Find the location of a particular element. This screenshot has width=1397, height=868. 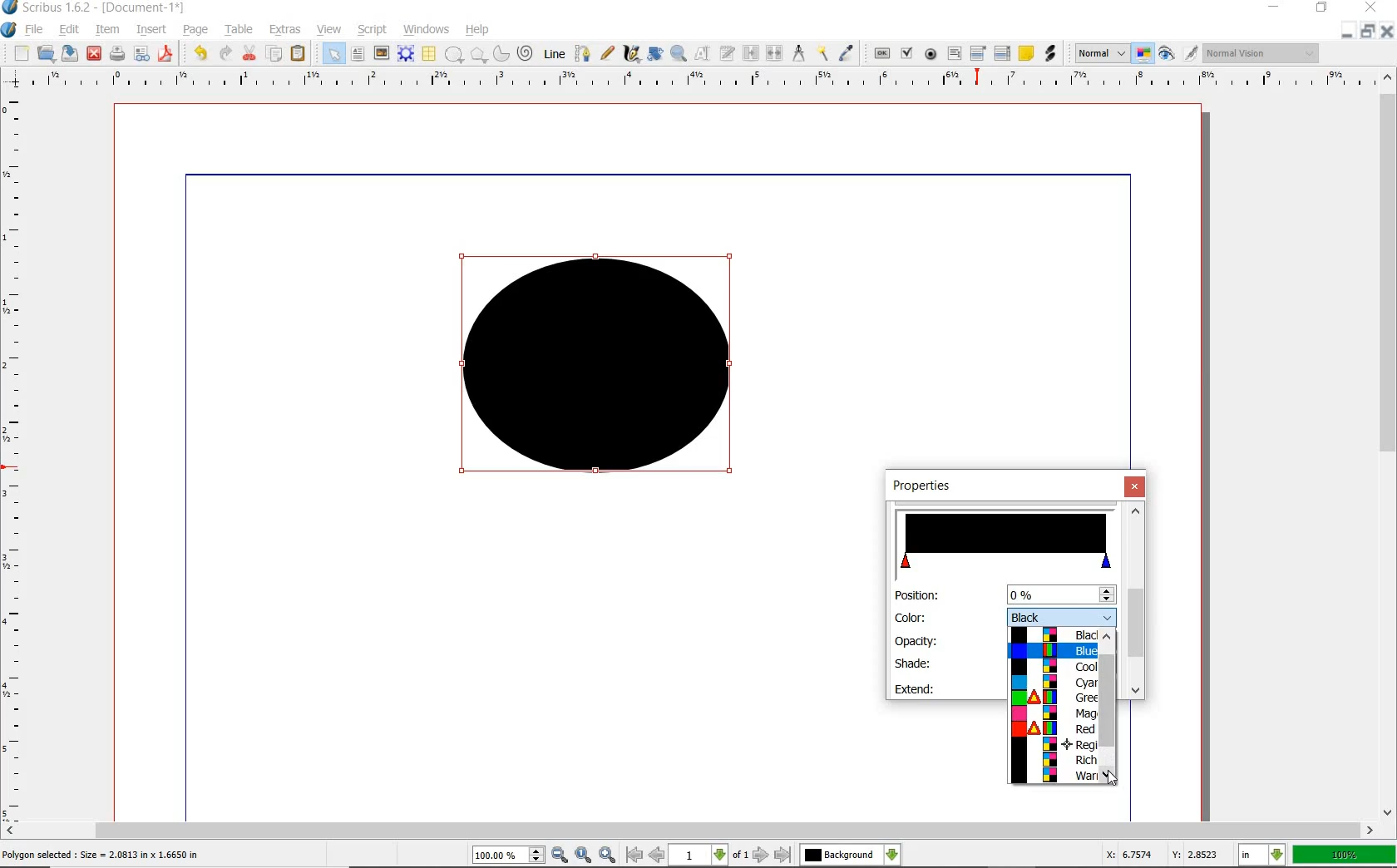

COPY is located at coordinates (276, 54).